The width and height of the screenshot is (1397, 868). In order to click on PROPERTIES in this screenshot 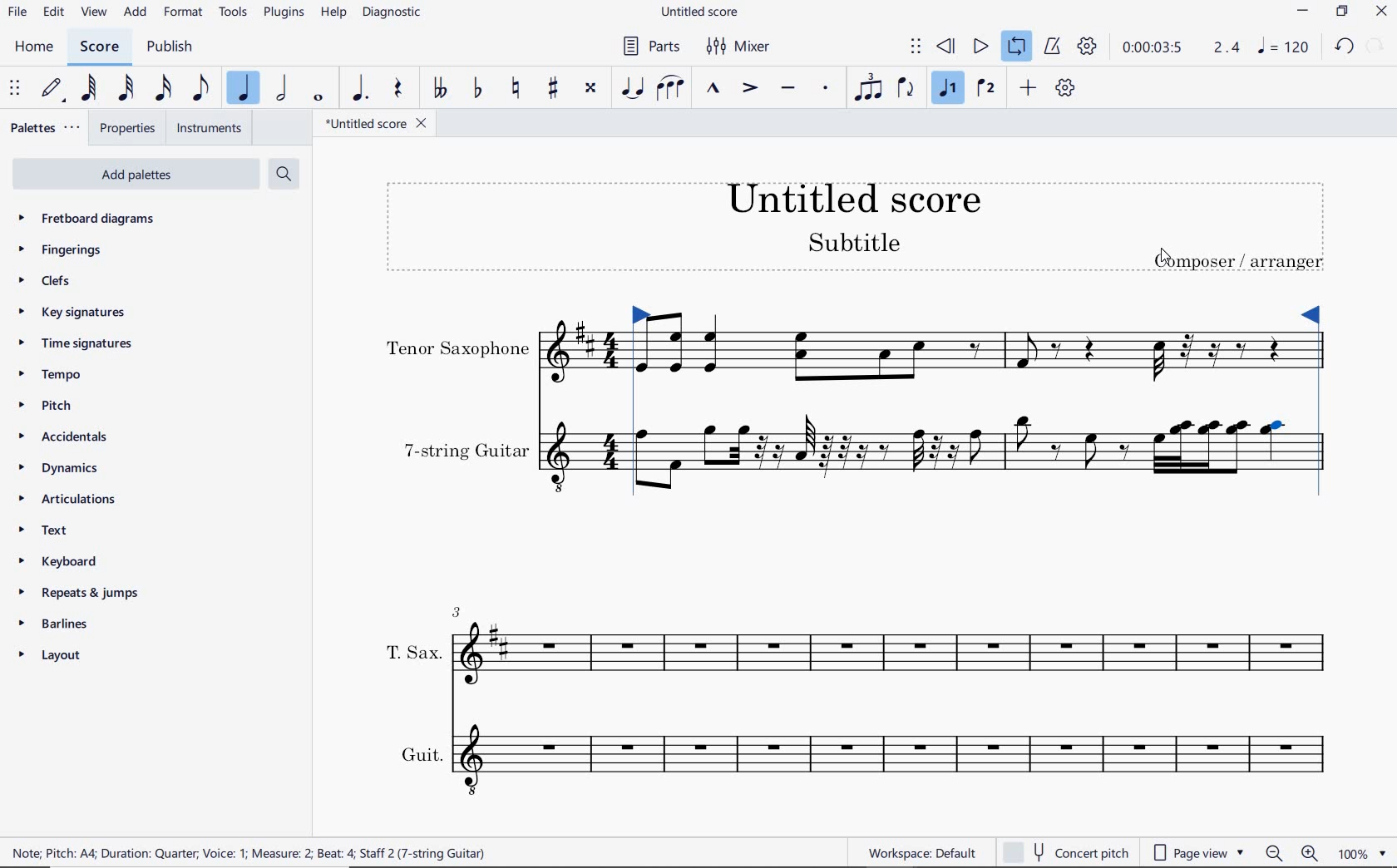, I will do `click(130, 128)`.